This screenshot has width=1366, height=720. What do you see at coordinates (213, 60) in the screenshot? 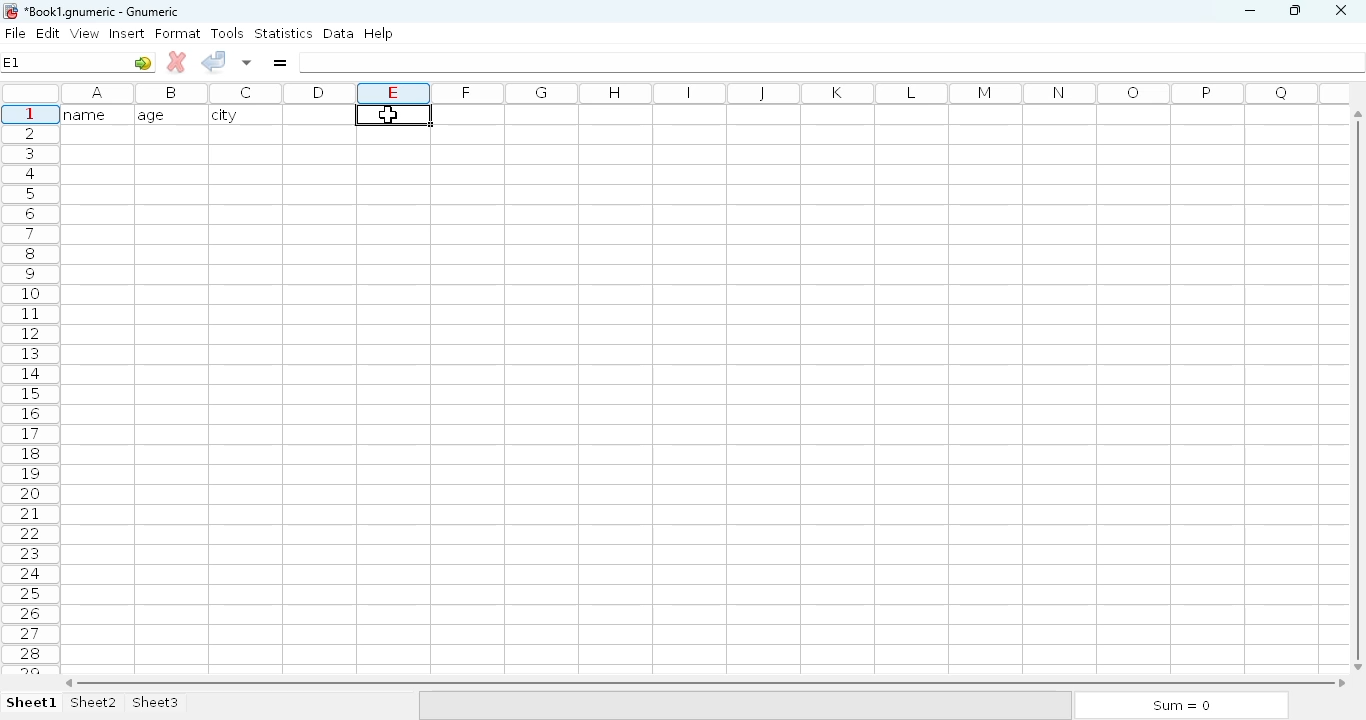
I see `accept change` at bounding box center [213, 60].